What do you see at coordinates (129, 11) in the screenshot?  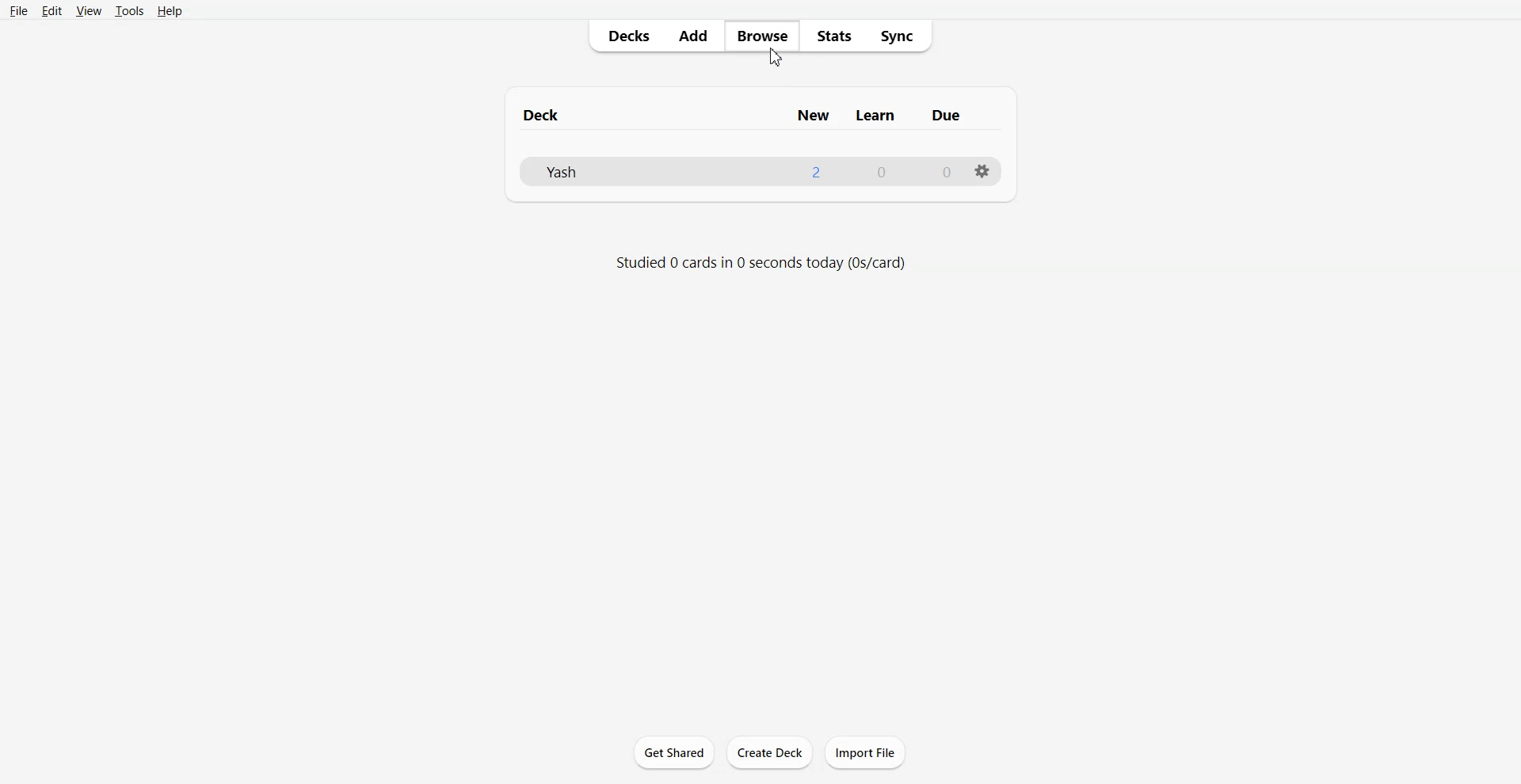 I see `Tools` at bounding box center [129, 11].